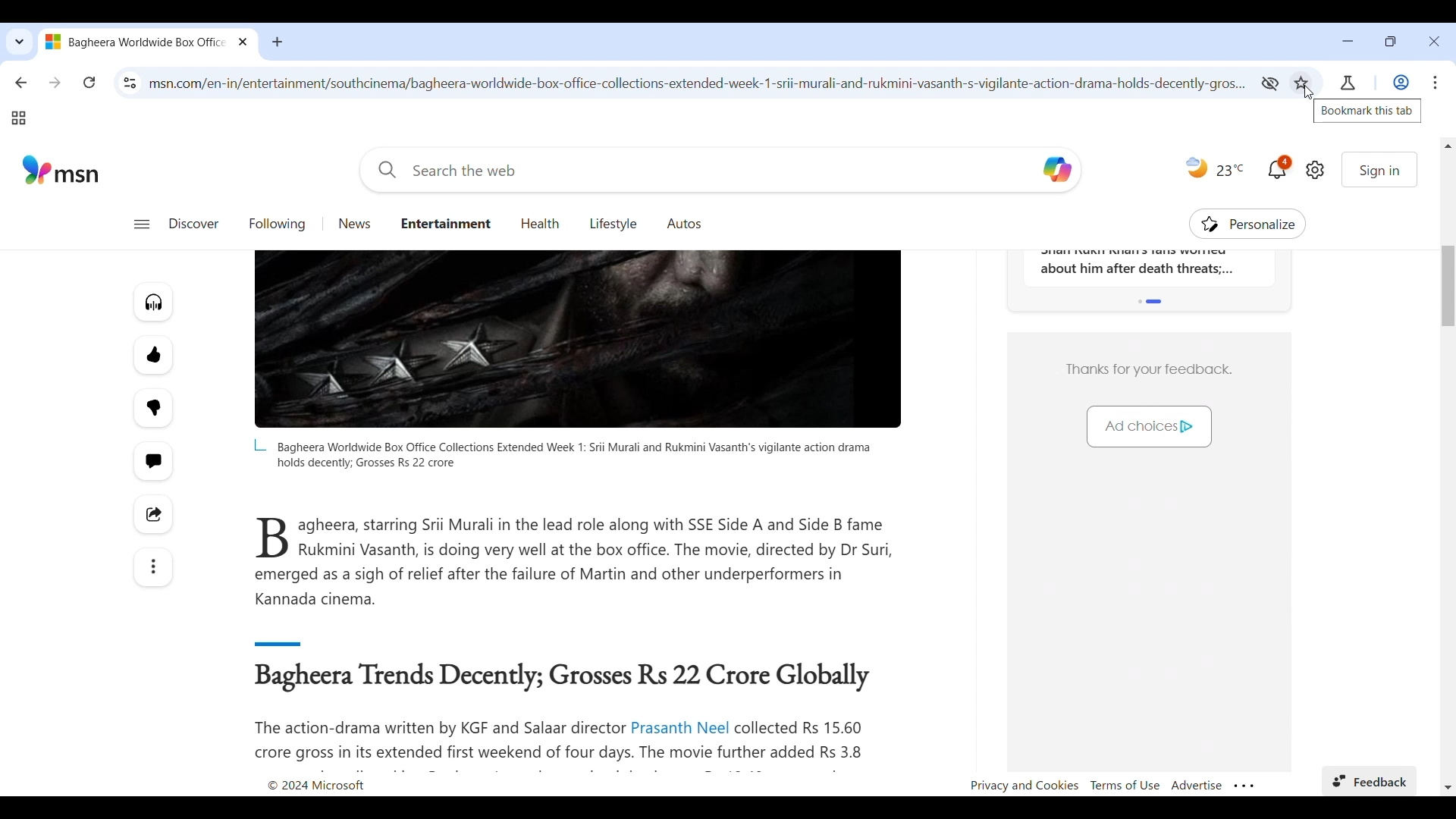 Image resolution: width=1456 pixels, height=819 pixels. What do you see at coordinates (193, 224) in the screenshot?
I see `Go to discover page` at bounding box center [193, 224].